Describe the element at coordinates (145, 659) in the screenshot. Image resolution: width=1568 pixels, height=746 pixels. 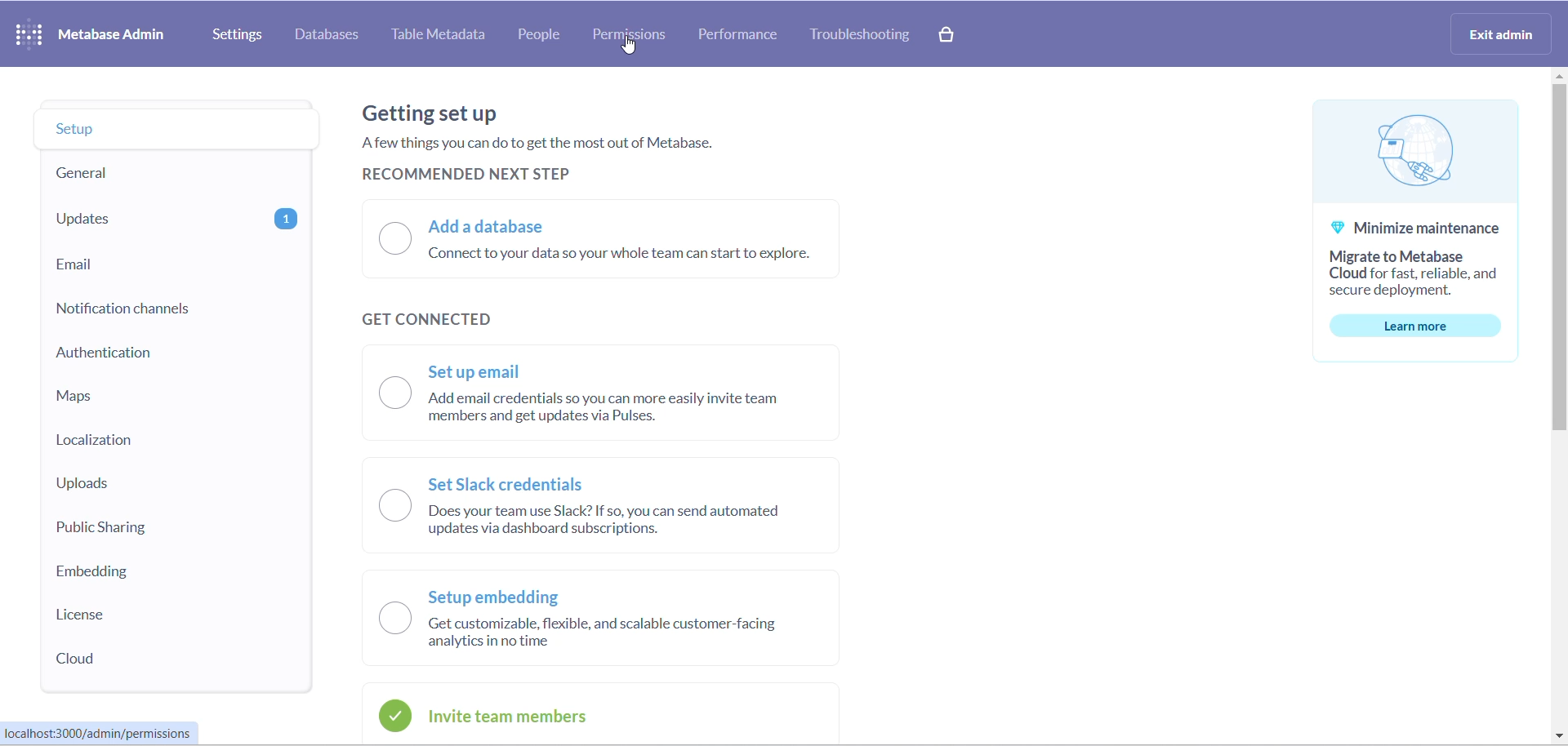
I see `cloud` at that location.